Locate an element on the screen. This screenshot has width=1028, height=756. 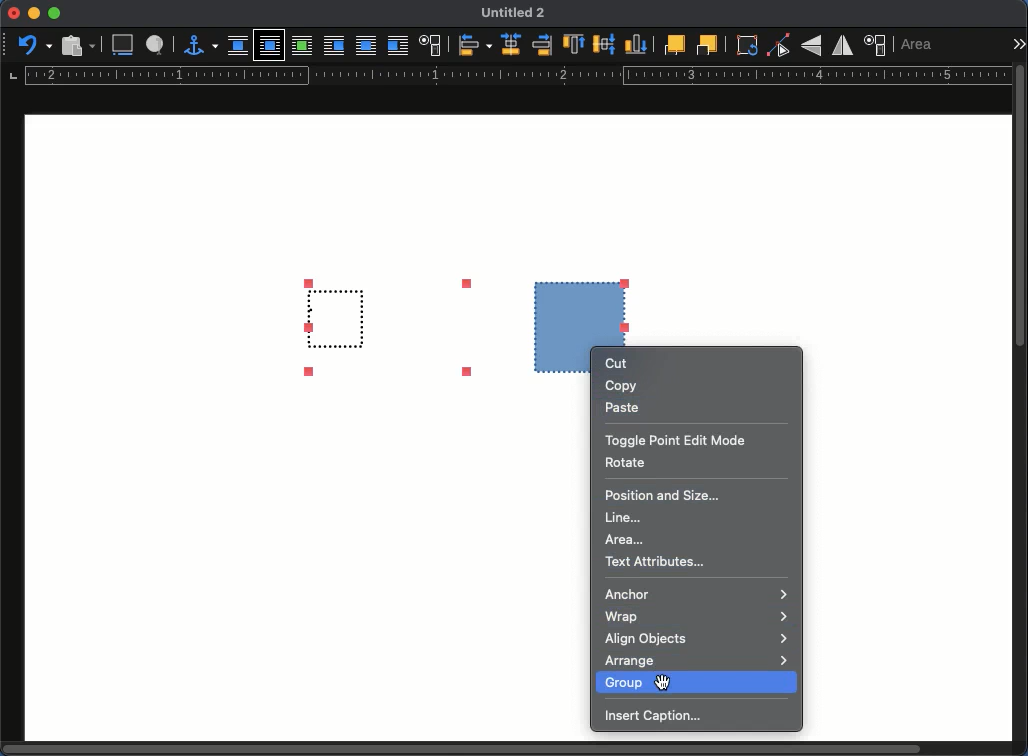
flip vertically is located at coordinates (811, 46).